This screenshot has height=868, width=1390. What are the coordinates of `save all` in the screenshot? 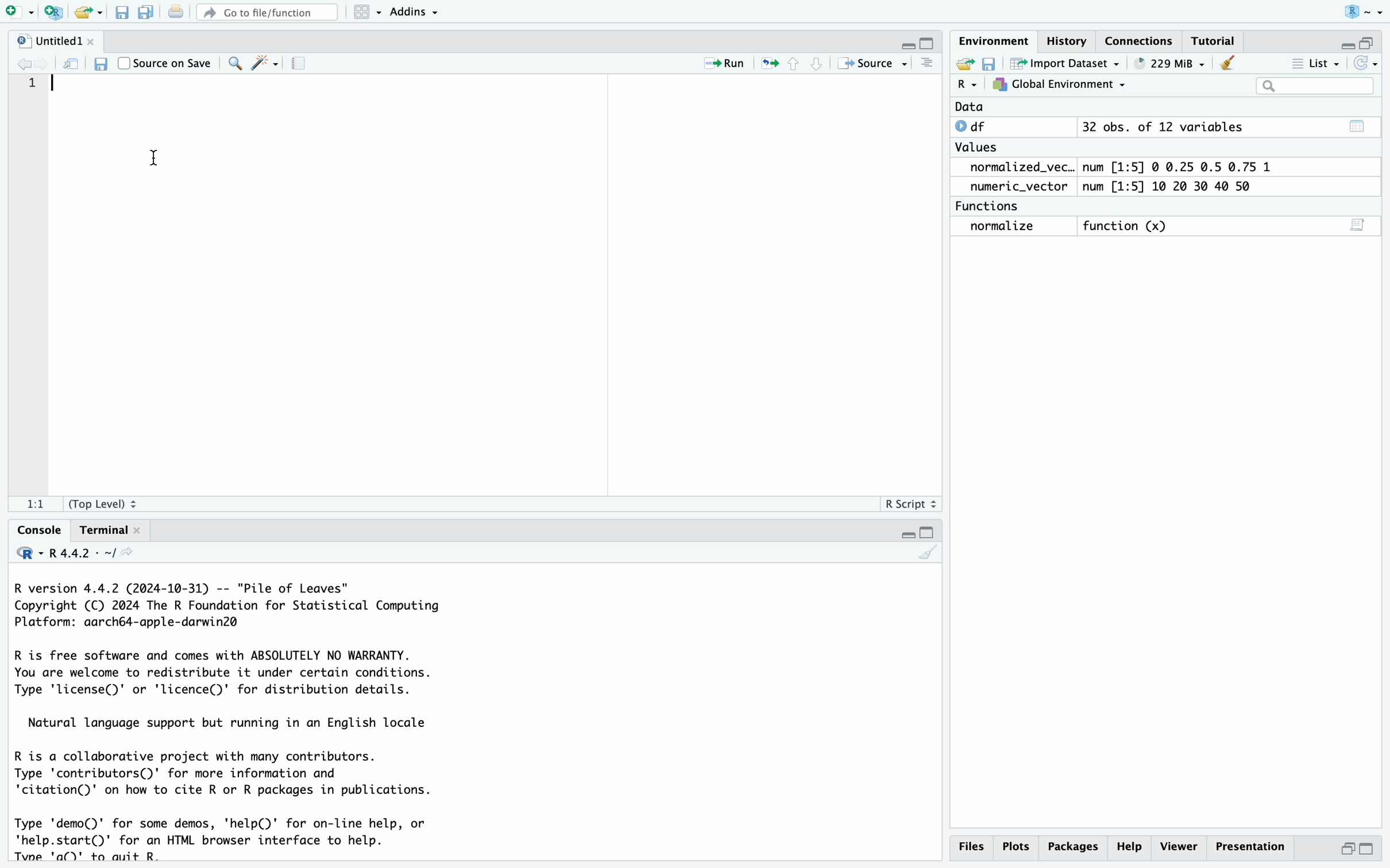 It's located at (147, 14).